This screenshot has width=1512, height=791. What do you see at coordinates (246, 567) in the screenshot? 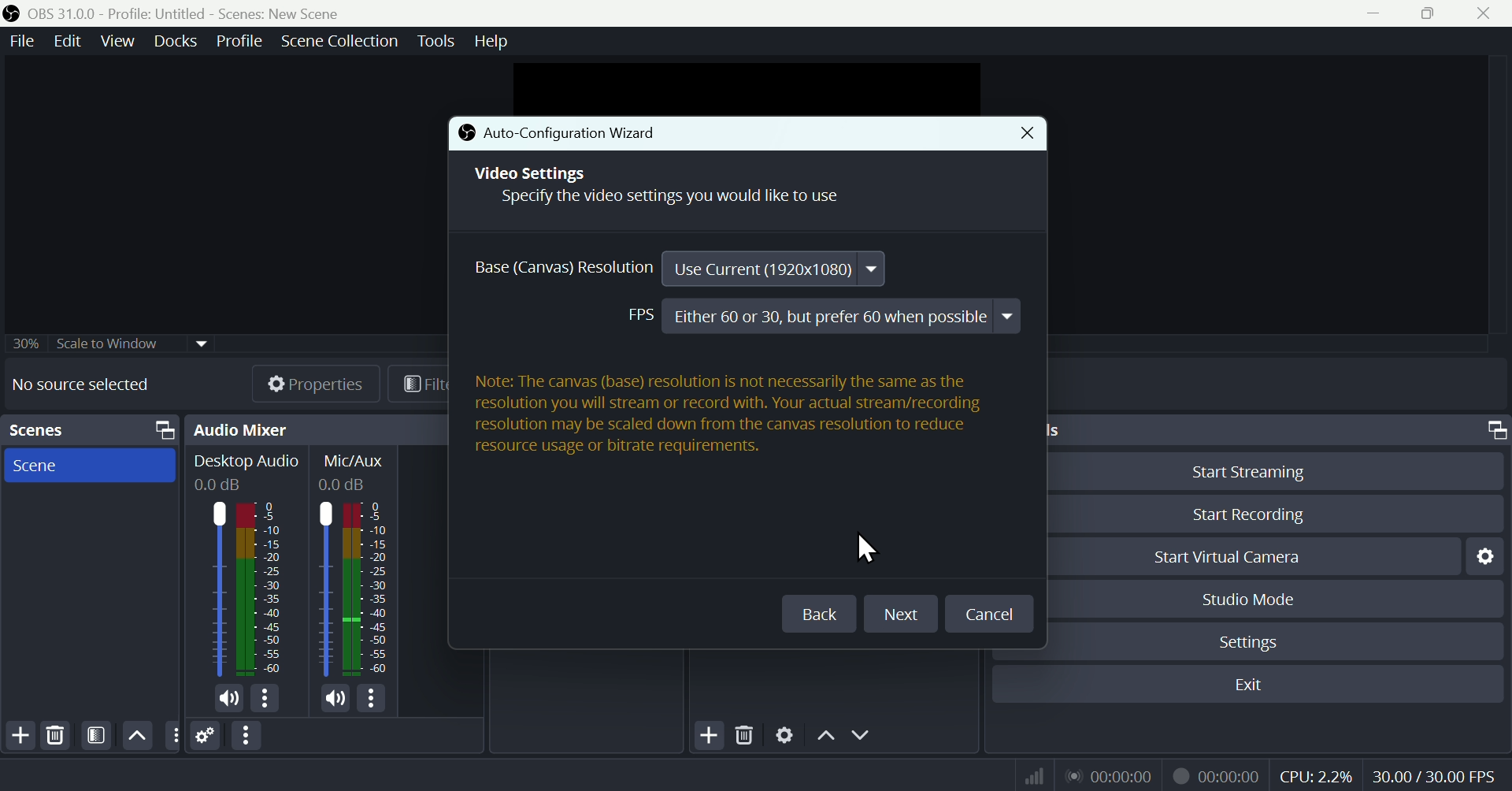
I see `Audio mixer` at bounding box center [246, 567].